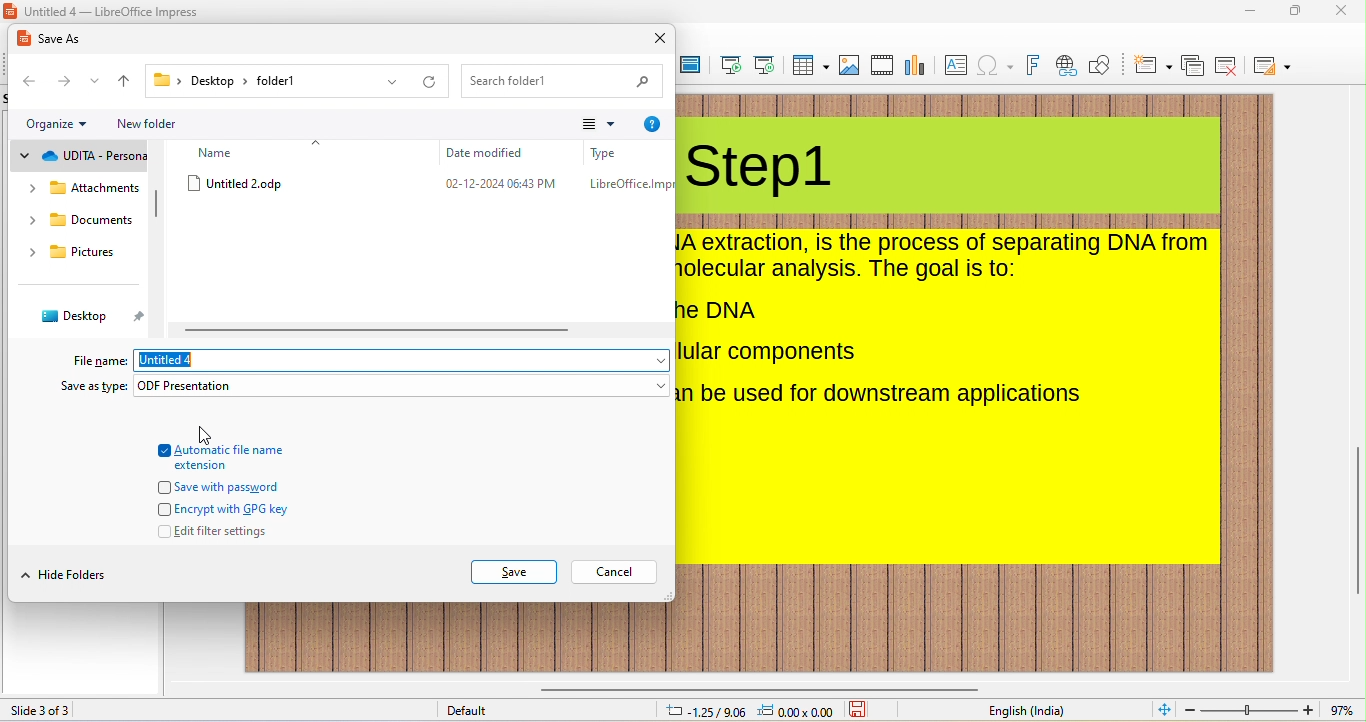 This screenshot has height=722, width=1366. Describe the element at coordinates (163, 487) in the screenshot. I see `Checkbox` at that location.